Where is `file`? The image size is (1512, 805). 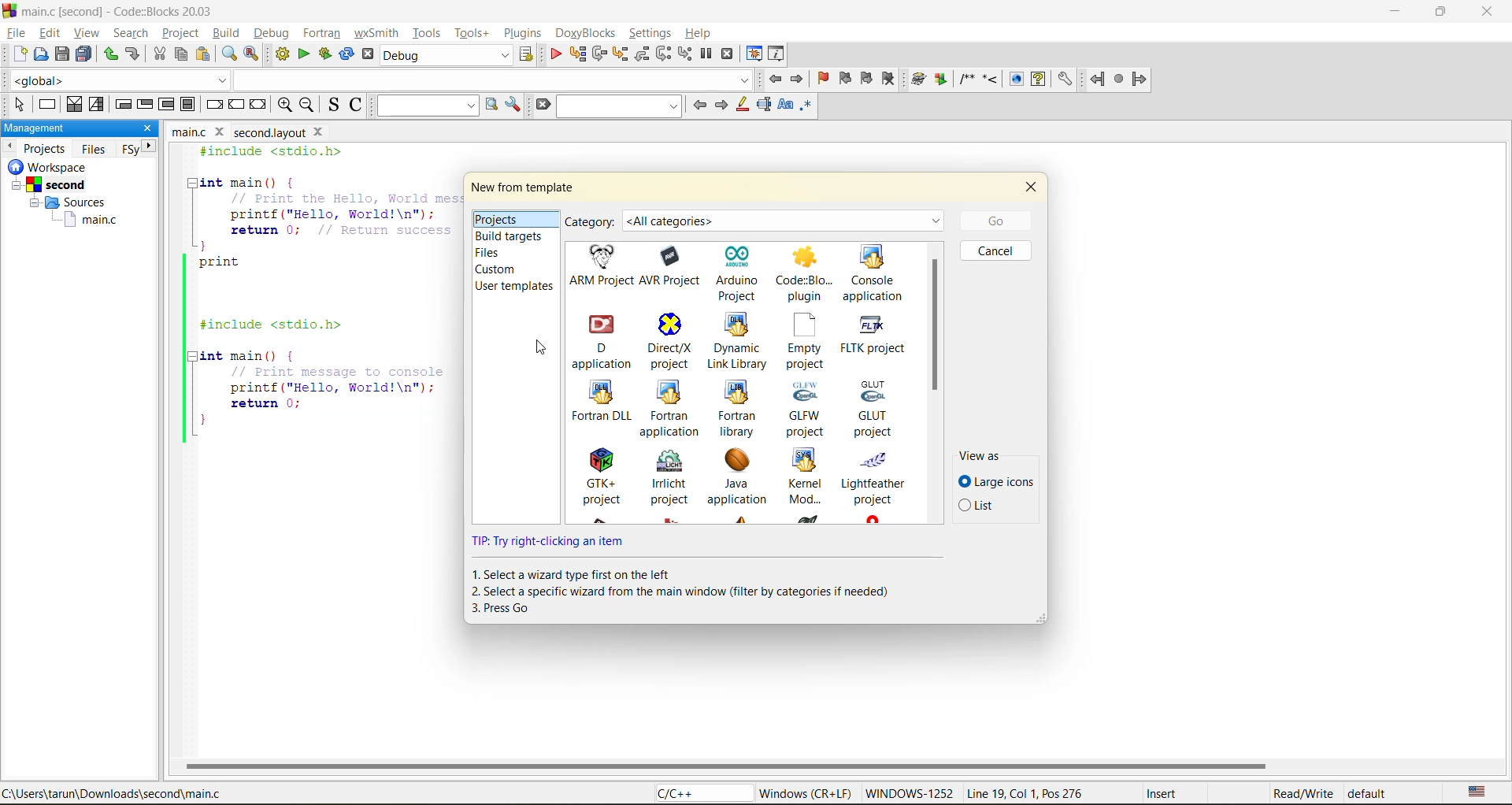
file is located at coordinates (15, 33).